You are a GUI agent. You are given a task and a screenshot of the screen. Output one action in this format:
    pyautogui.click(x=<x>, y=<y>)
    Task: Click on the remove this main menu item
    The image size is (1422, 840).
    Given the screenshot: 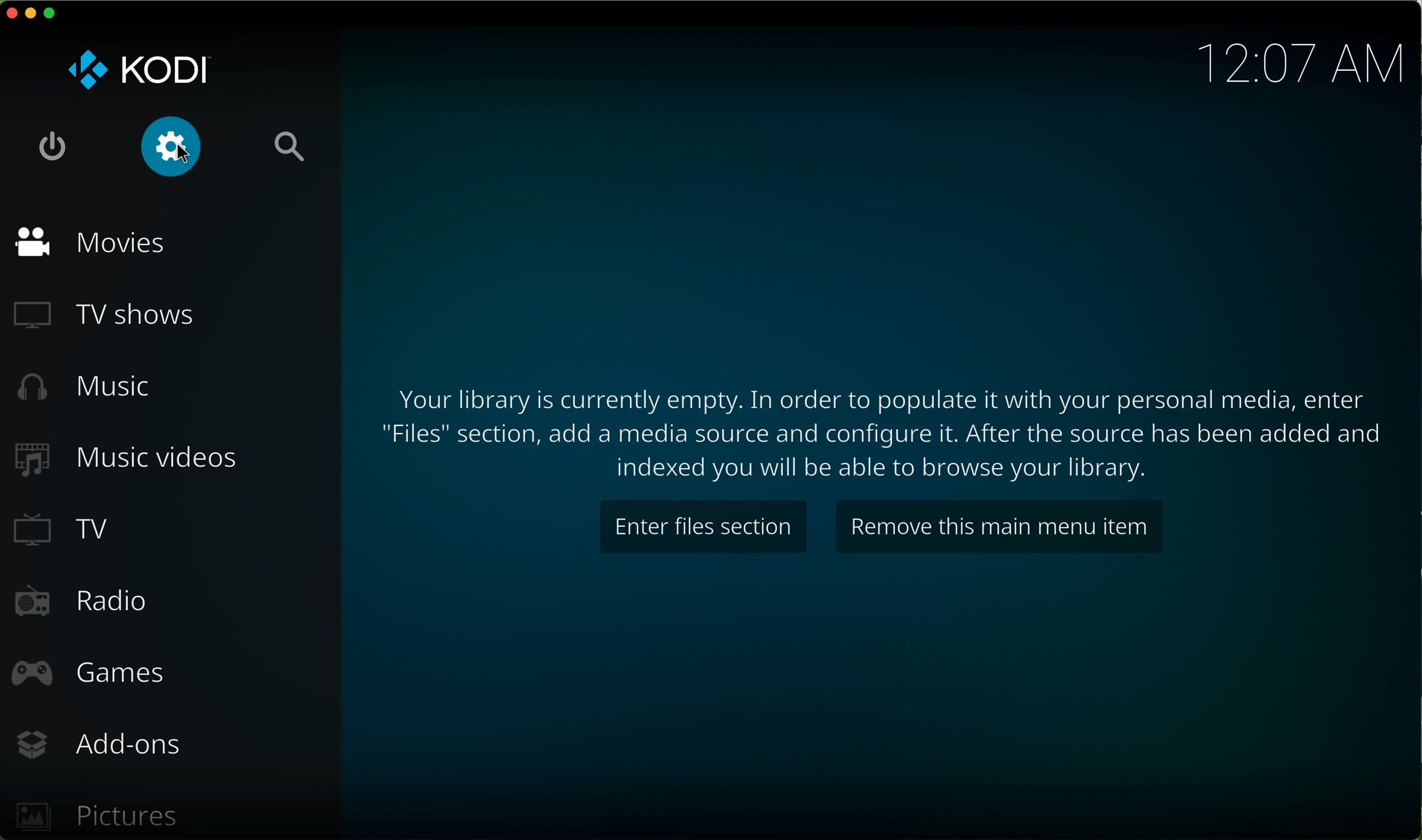 What is the action you would take?
    pyautogui.click(x=1000, y=528)
    